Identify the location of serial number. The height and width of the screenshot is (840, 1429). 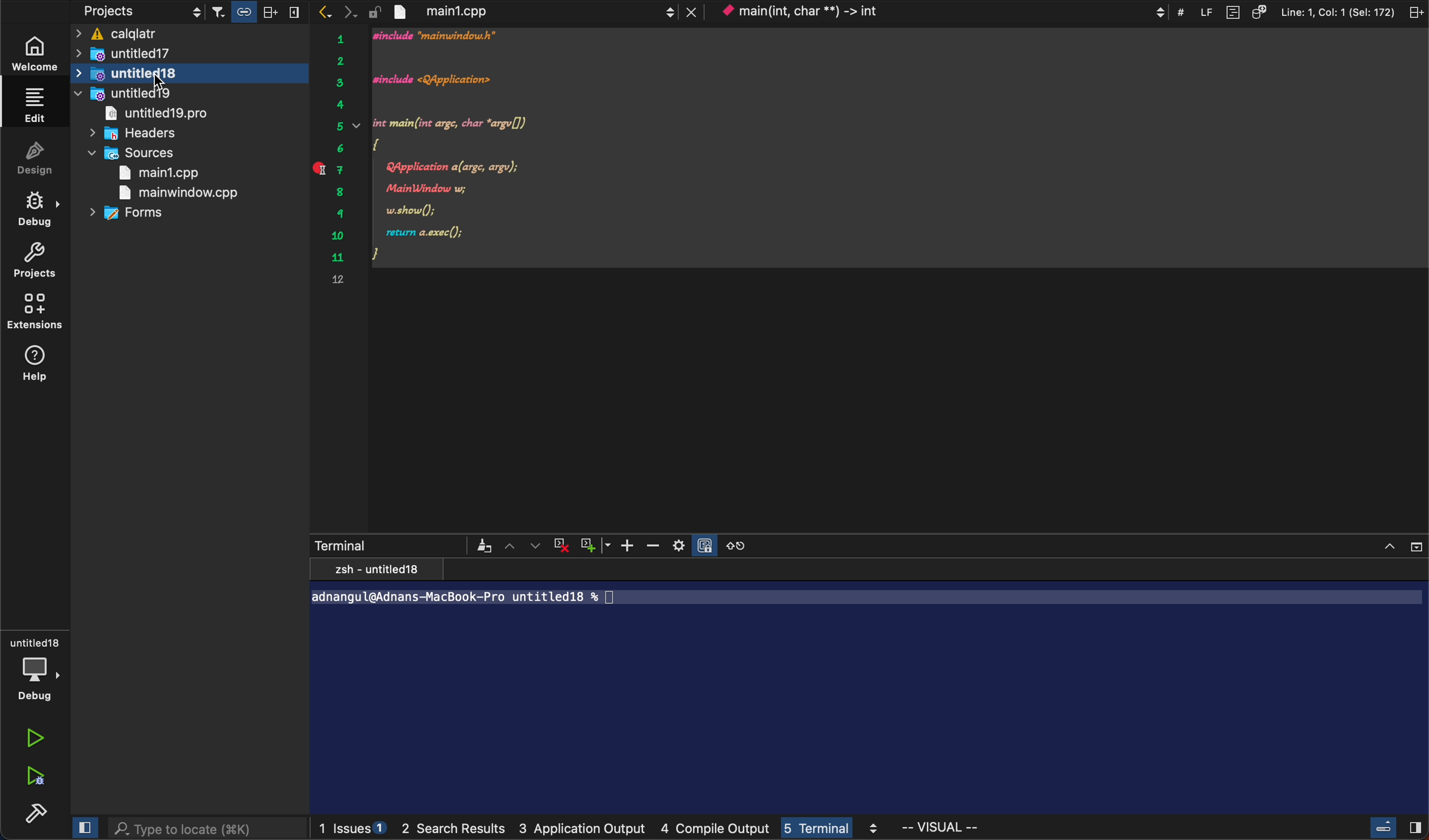
(337, 241).